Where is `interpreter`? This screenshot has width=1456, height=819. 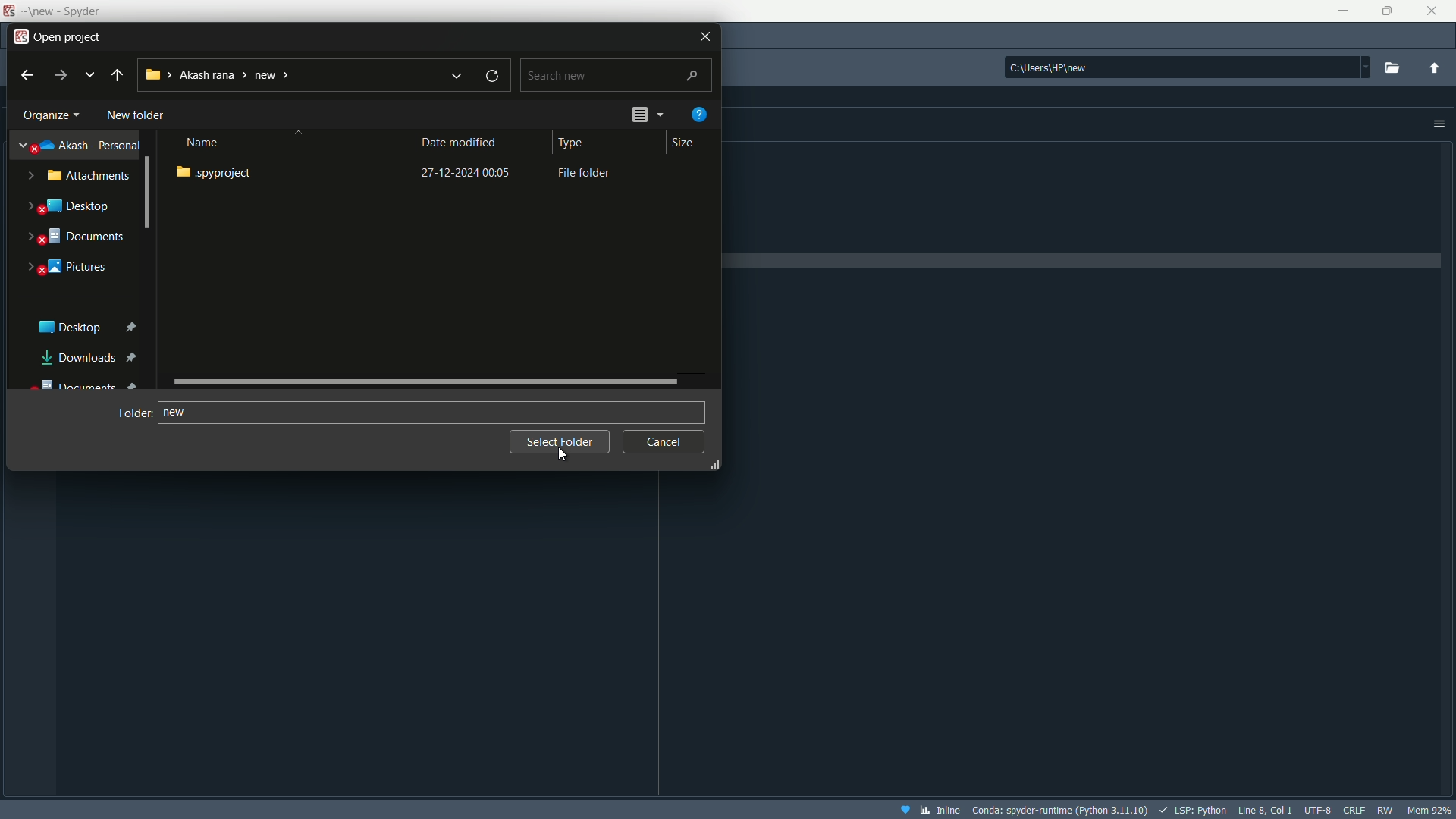
interpreter is located at coordinates (1062, 809).